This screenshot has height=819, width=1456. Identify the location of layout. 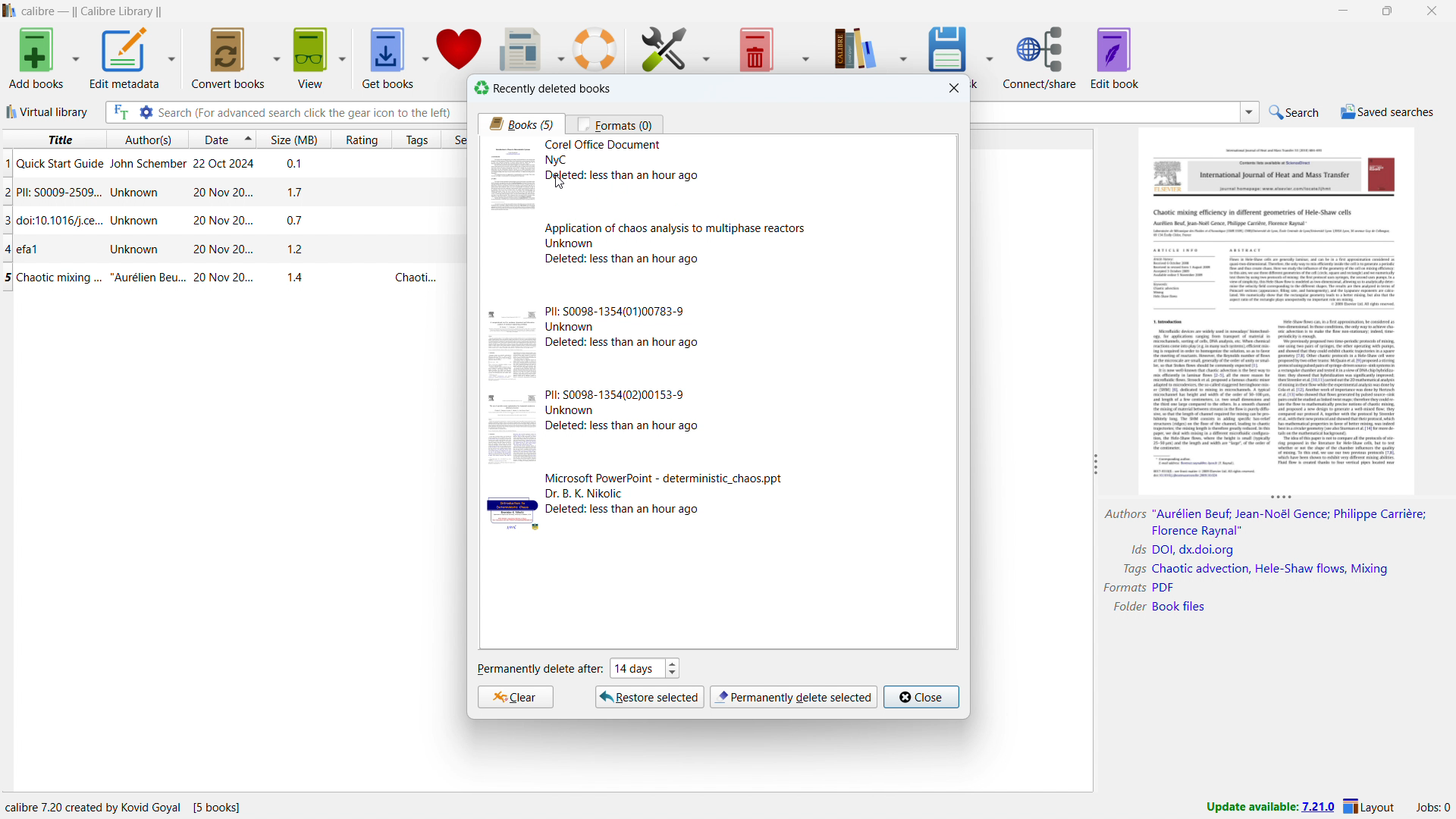
(1371, 807).